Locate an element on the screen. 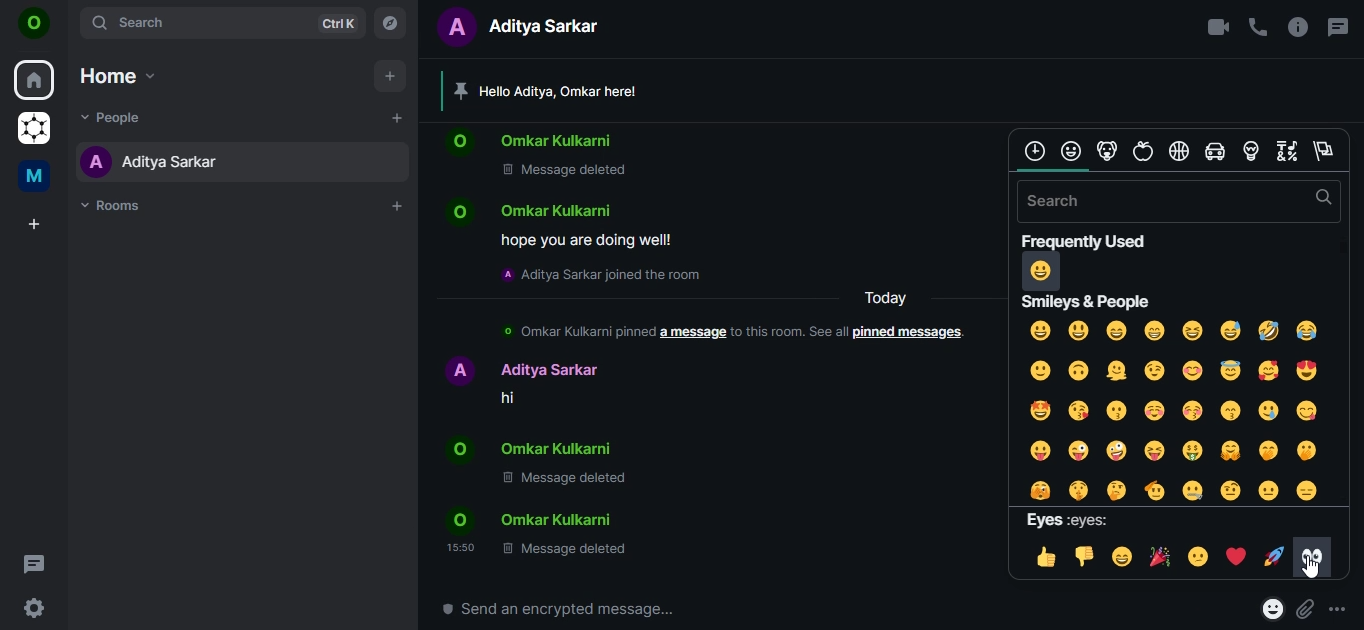 This screenshot has width=1364, height=630. cursor is located at coordinates (1311, 567).